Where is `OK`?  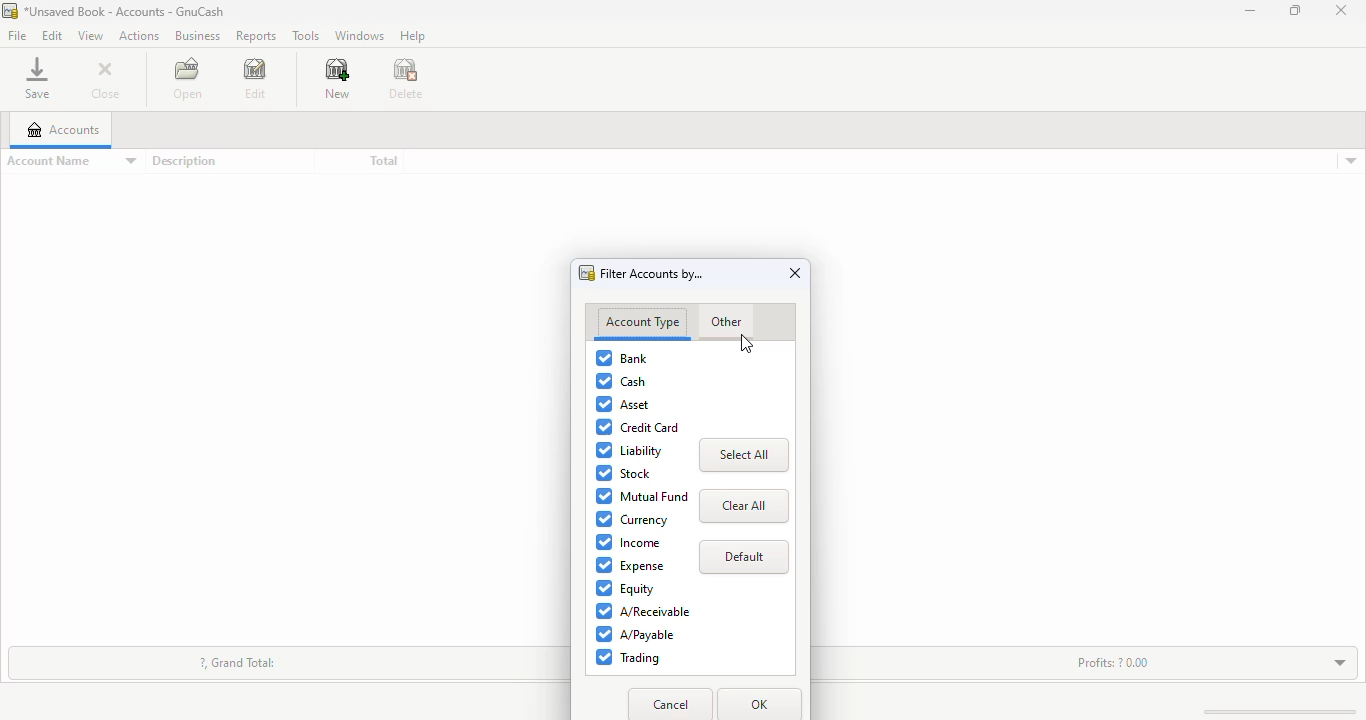 OK is located at coordinates (758, 704).